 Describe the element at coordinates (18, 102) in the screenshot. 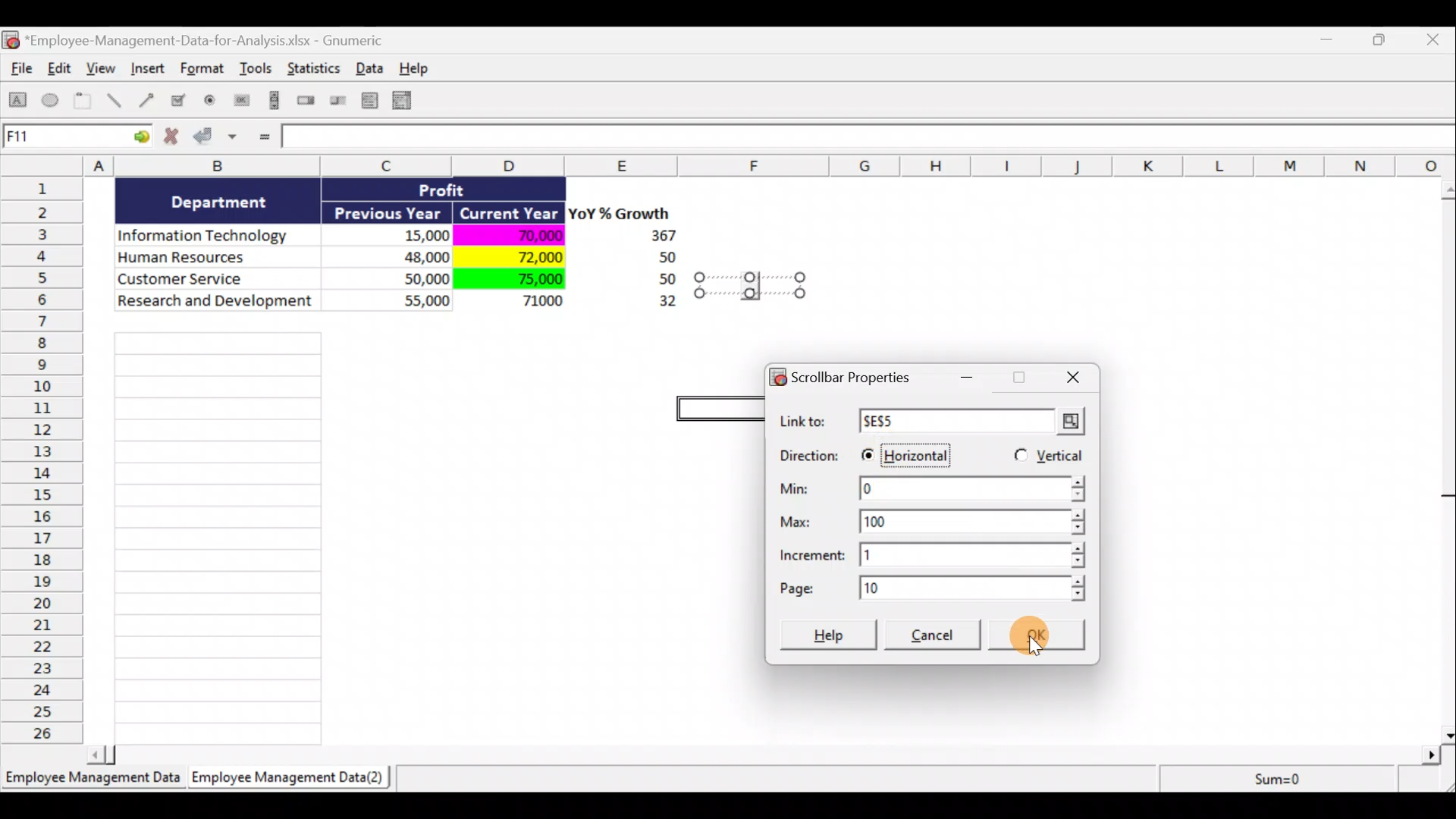

I see `Create a rectangle object` at that location.